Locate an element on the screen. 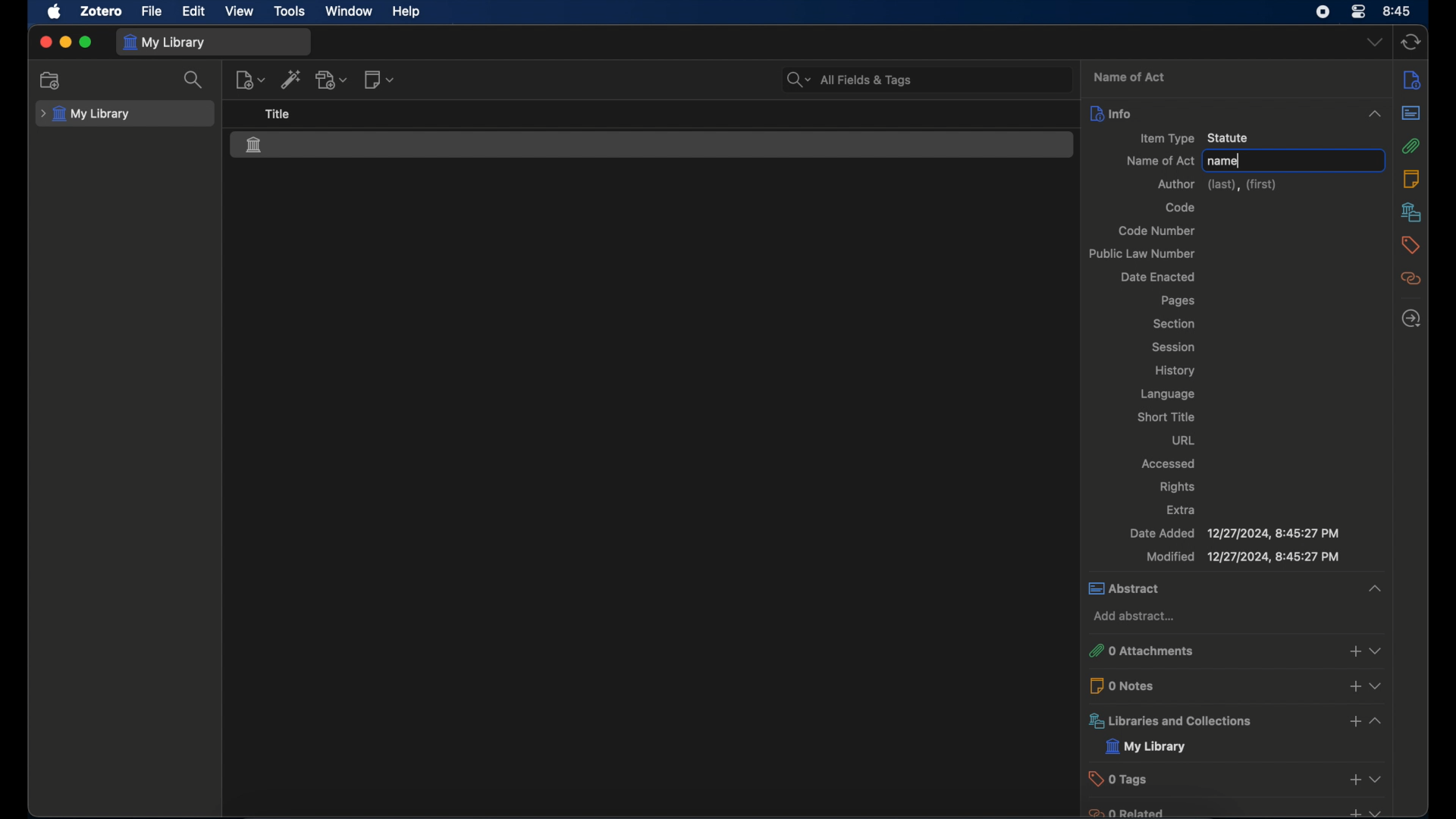 The height and width of the screenshot is (819, 1456). help is located at coordinates (408, 12).